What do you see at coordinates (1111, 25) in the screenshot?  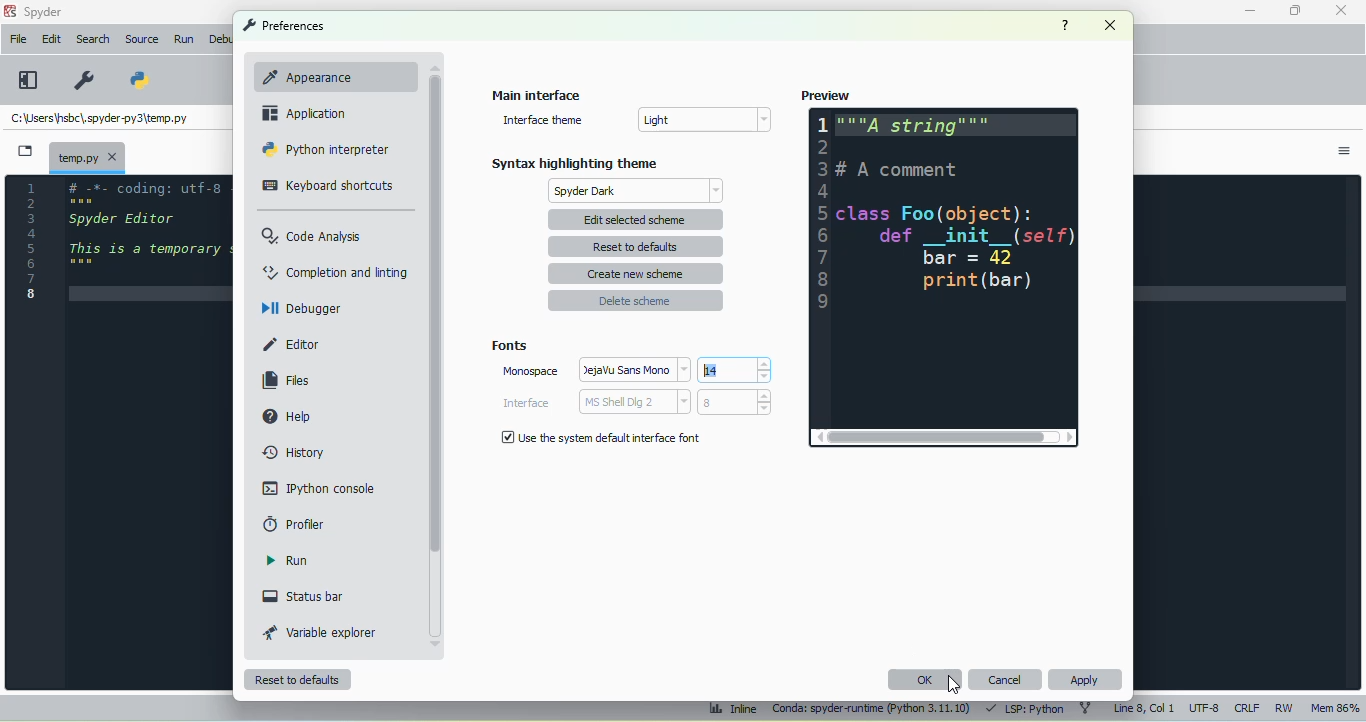 I see `close` at bounding box center [1111, 25].